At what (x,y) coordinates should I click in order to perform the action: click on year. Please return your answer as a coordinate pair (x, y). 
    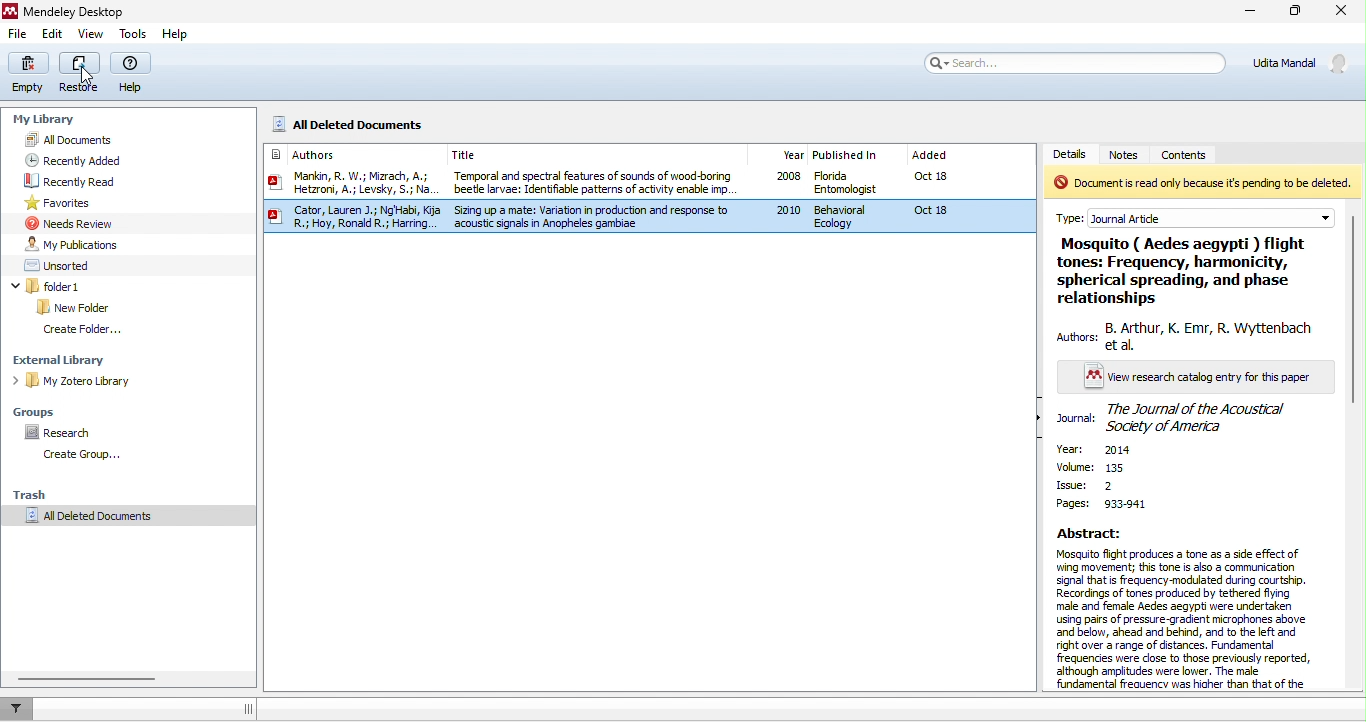
    Looking at the image, I should click on (1118, 451).